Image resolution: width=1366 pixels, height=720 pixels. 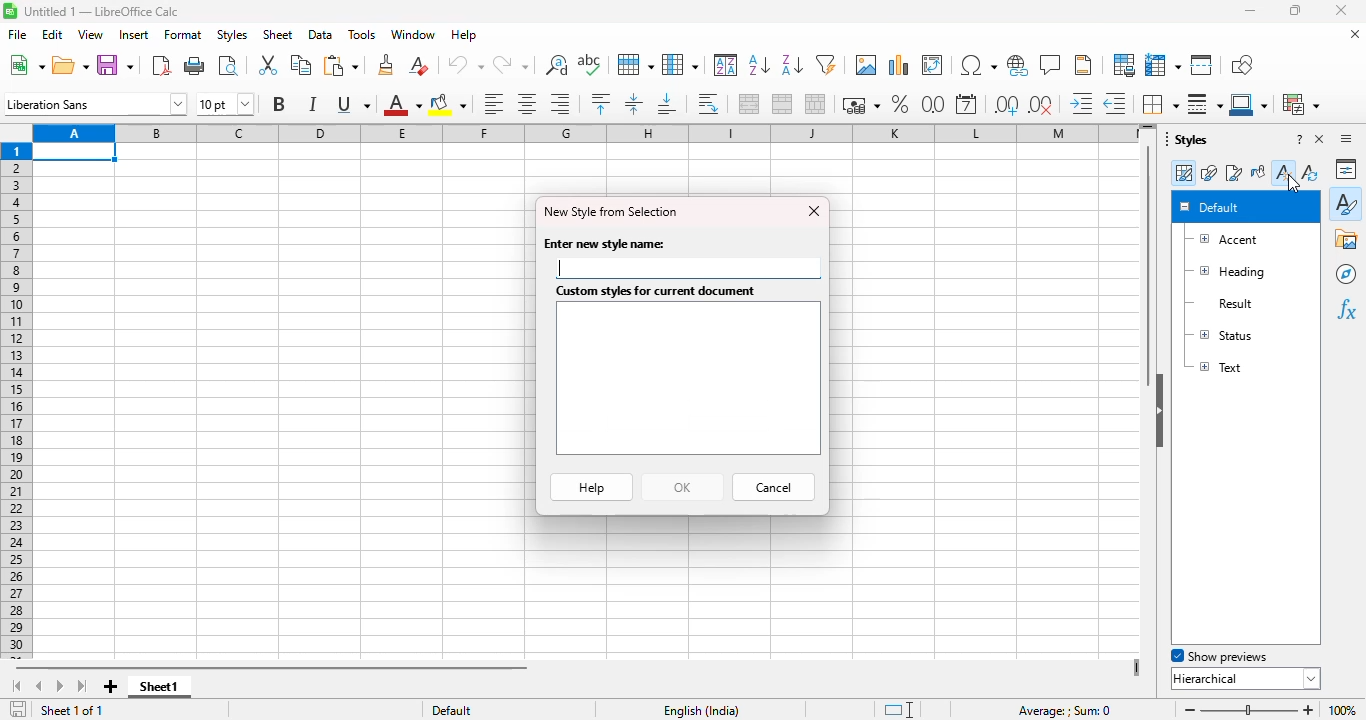 I want to click on export directly as PDF, so click(x=162, y=65).